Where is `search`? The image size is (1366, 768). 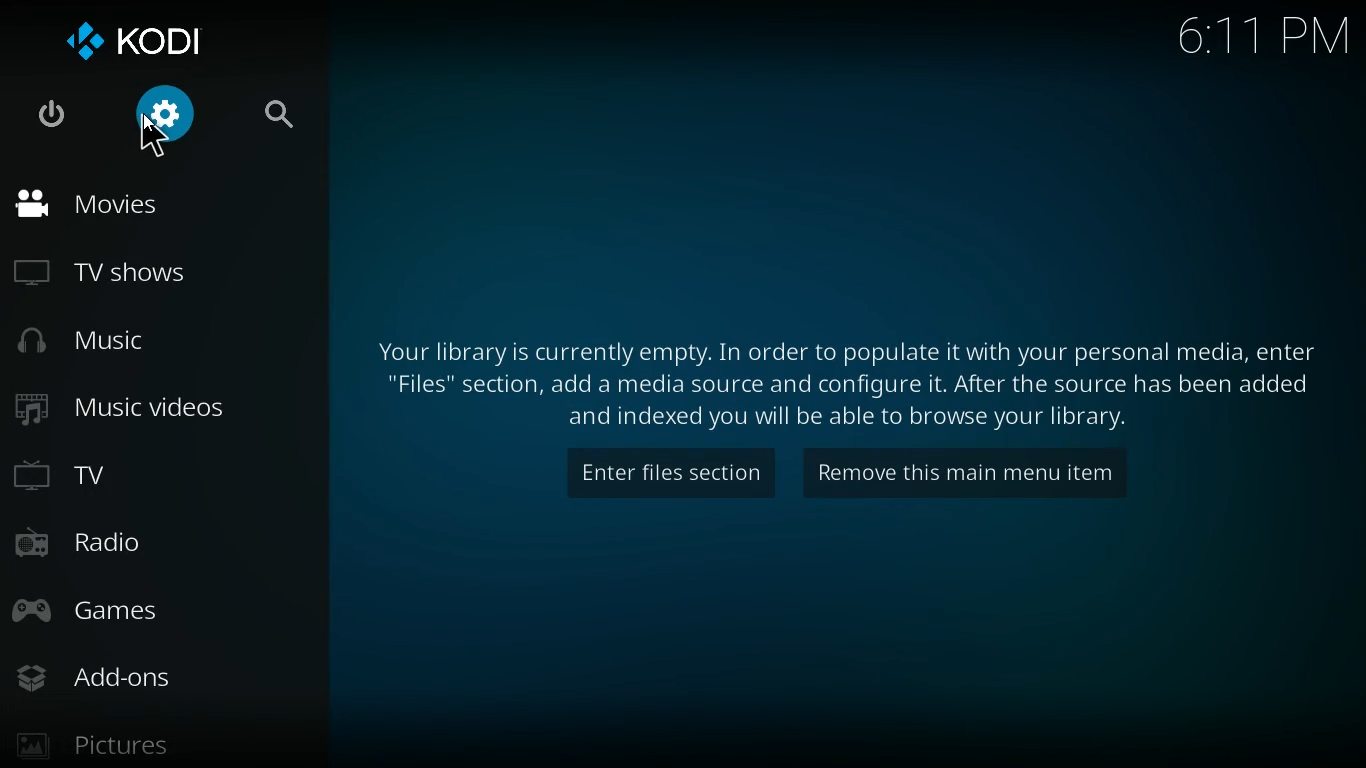
search is located at coordinates (286, 118).